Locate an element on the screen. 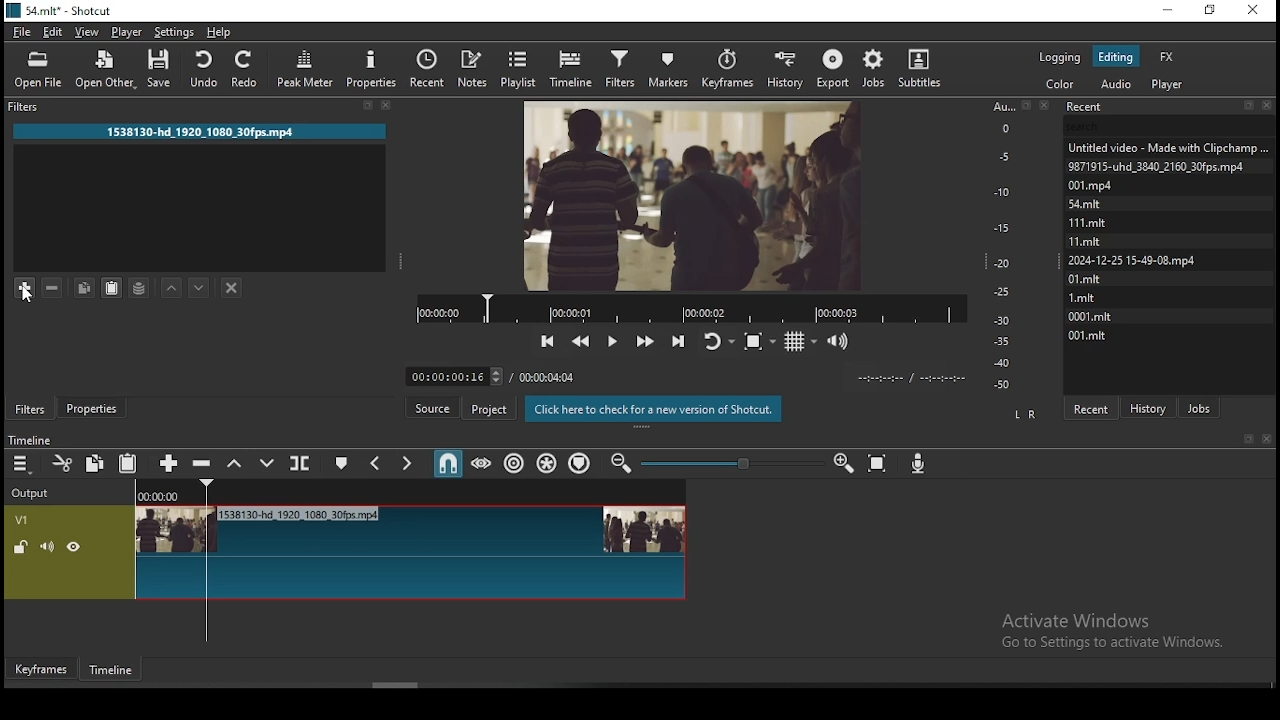 Image resolution: width=1280 pixels, height=720 pixels. record audio is located at coordinates (919, 462).